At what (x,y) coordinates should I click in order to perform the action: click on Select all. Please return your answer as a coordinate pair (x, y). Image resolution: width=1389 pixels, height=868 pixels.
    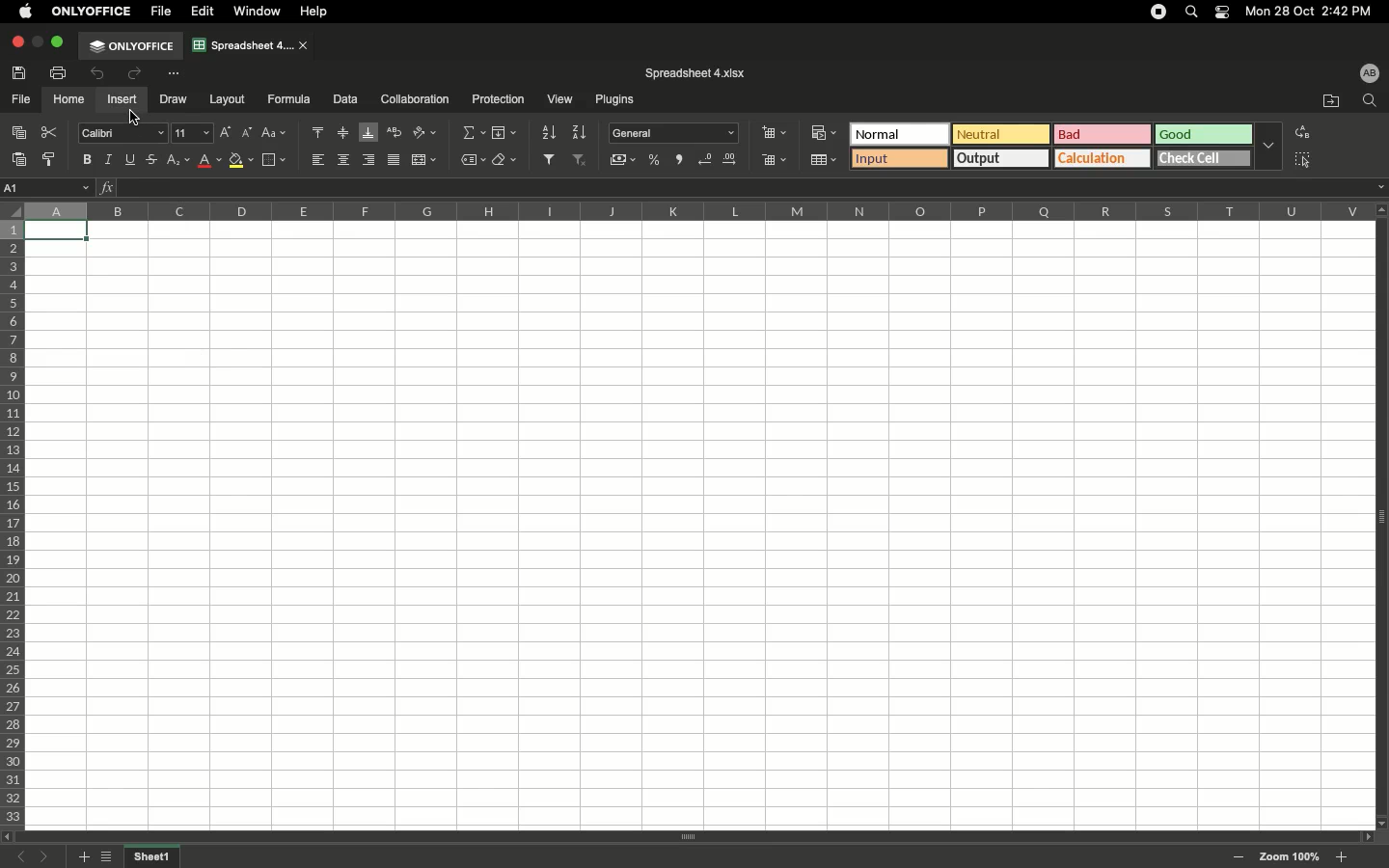
    Looking at the image, I should click on (1302, 160).